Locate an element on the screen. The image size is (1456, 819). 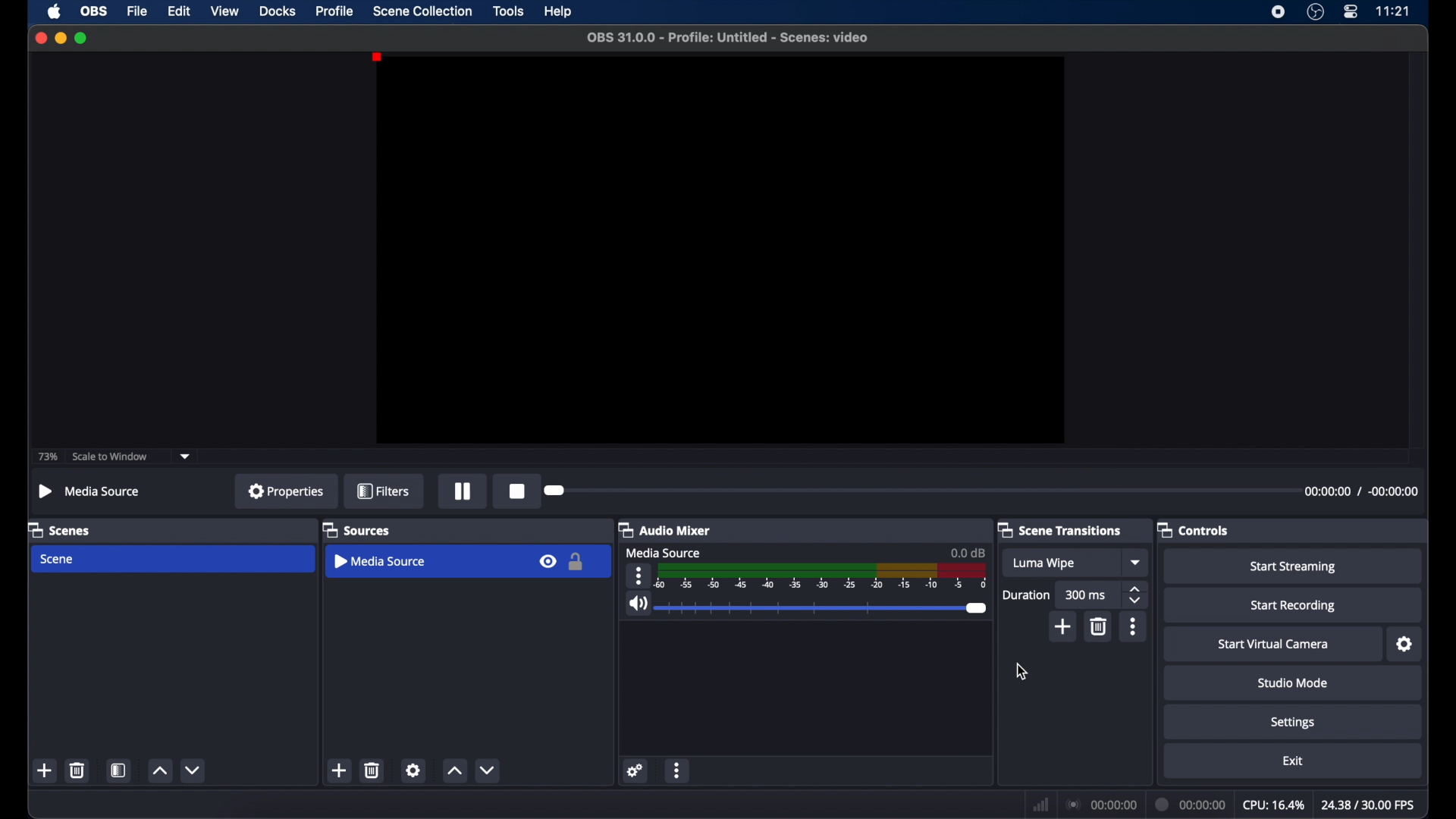
profile is located at coordinates (335, 11).